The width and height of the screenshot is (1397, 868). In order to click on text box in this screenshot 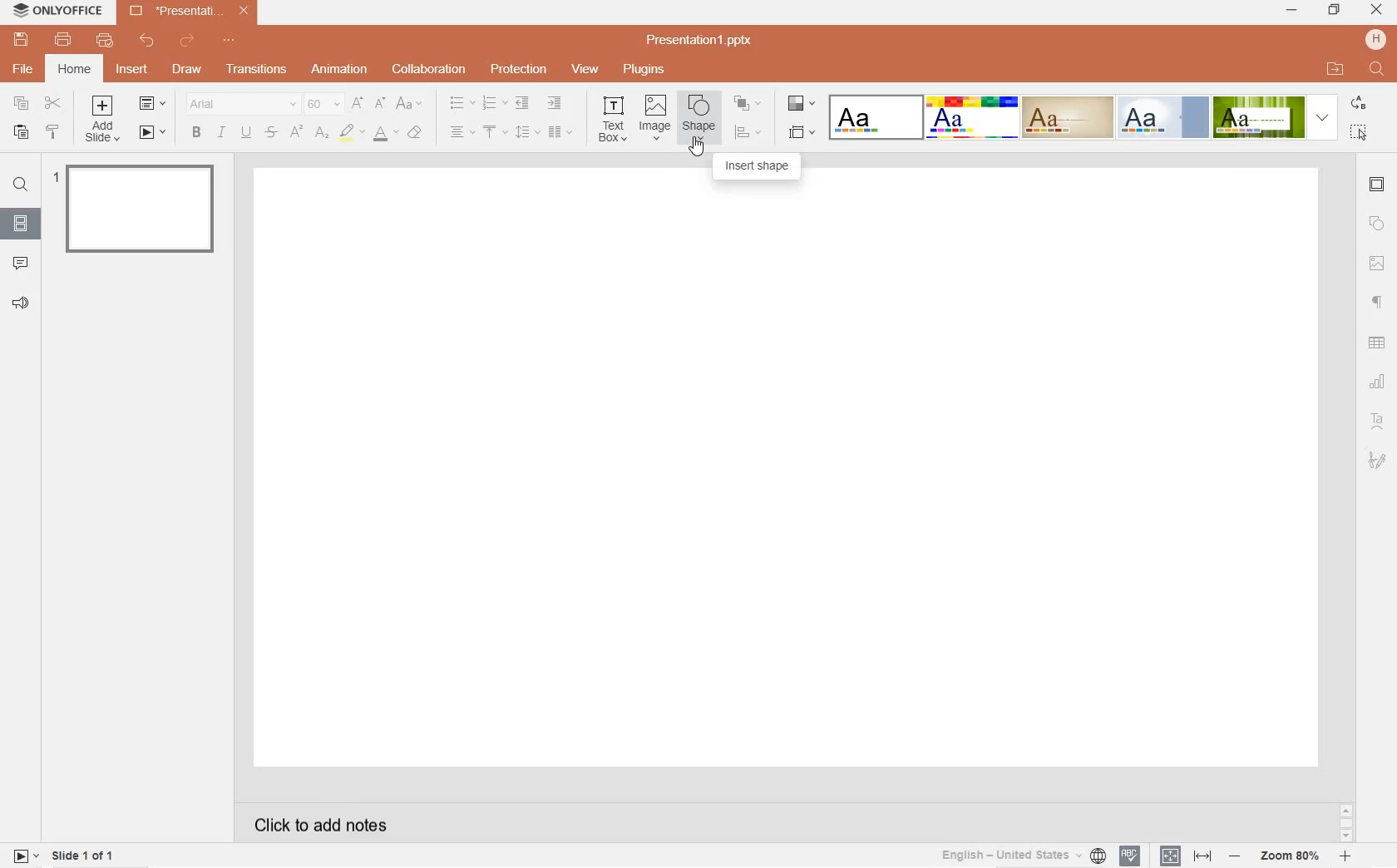, I will do `click(615, 118)`.